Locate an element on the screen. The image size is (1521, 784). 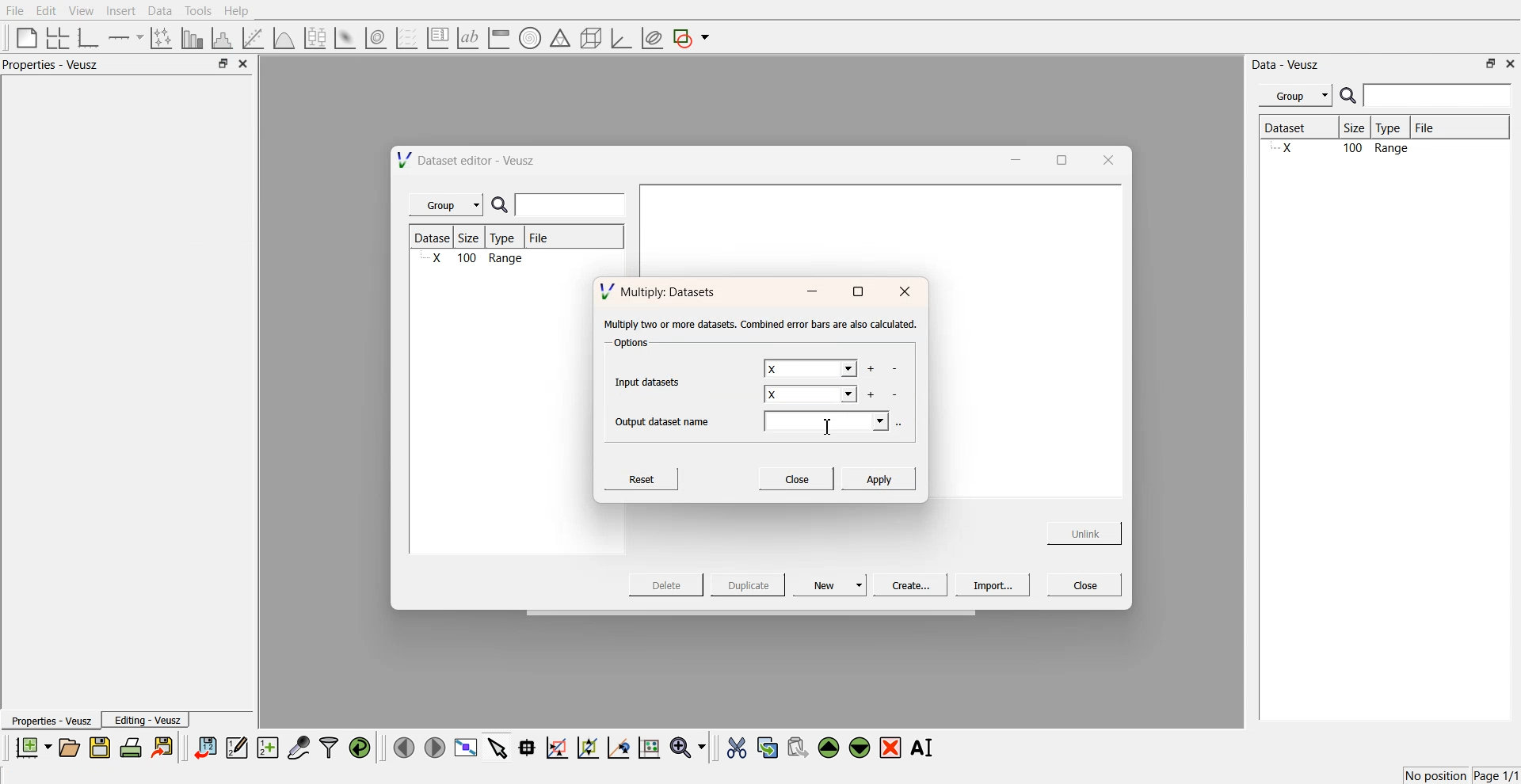
Output dataset name is located at coordinates (668, 420).